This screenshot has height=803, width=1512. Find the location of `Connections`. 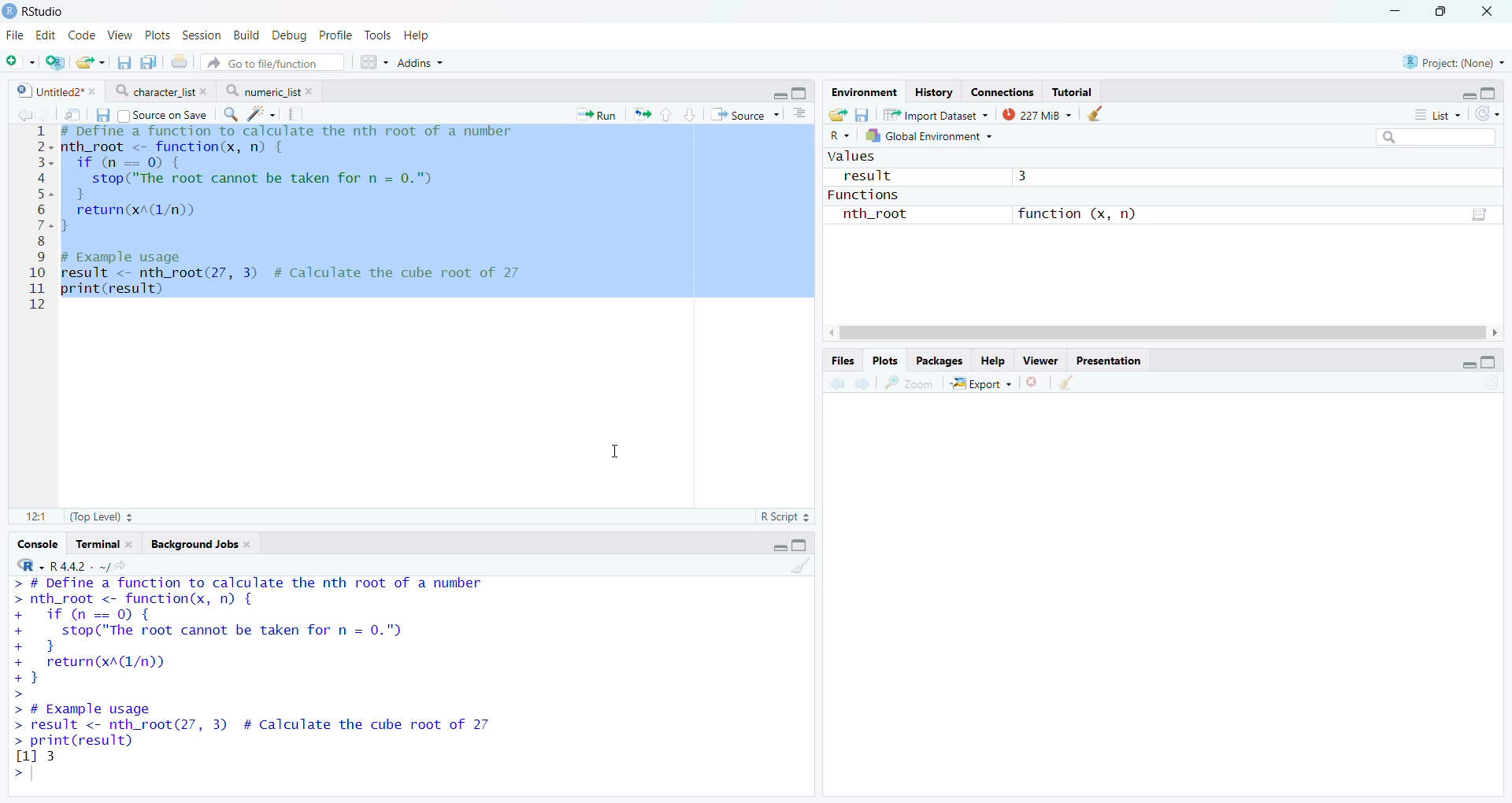

Connections is located at coordinates (1004, 91).